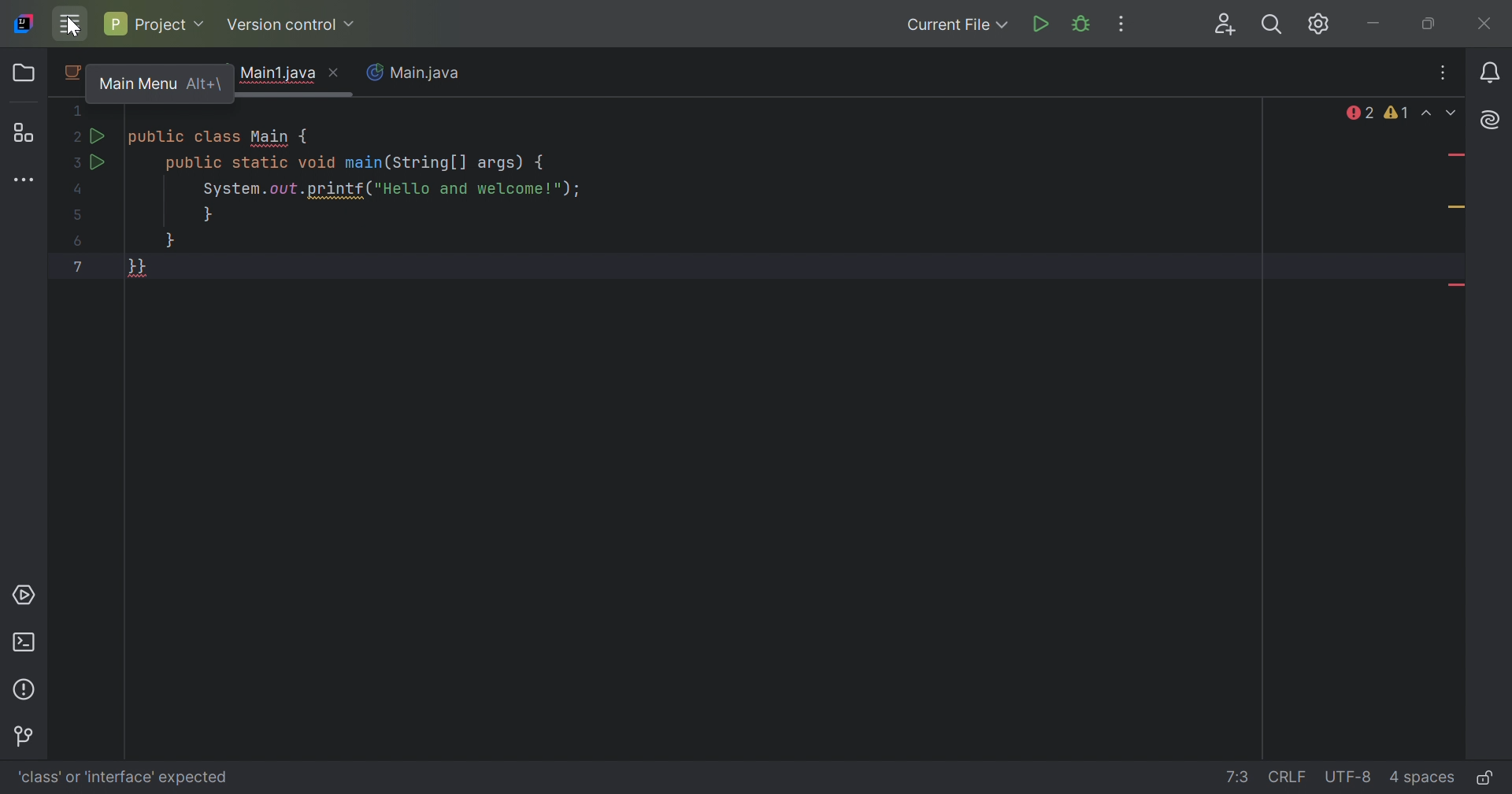  What do you see at coordinates (1125, 24) in the screenshot?
I see `More Actions` at bounding box center [1125, 24].